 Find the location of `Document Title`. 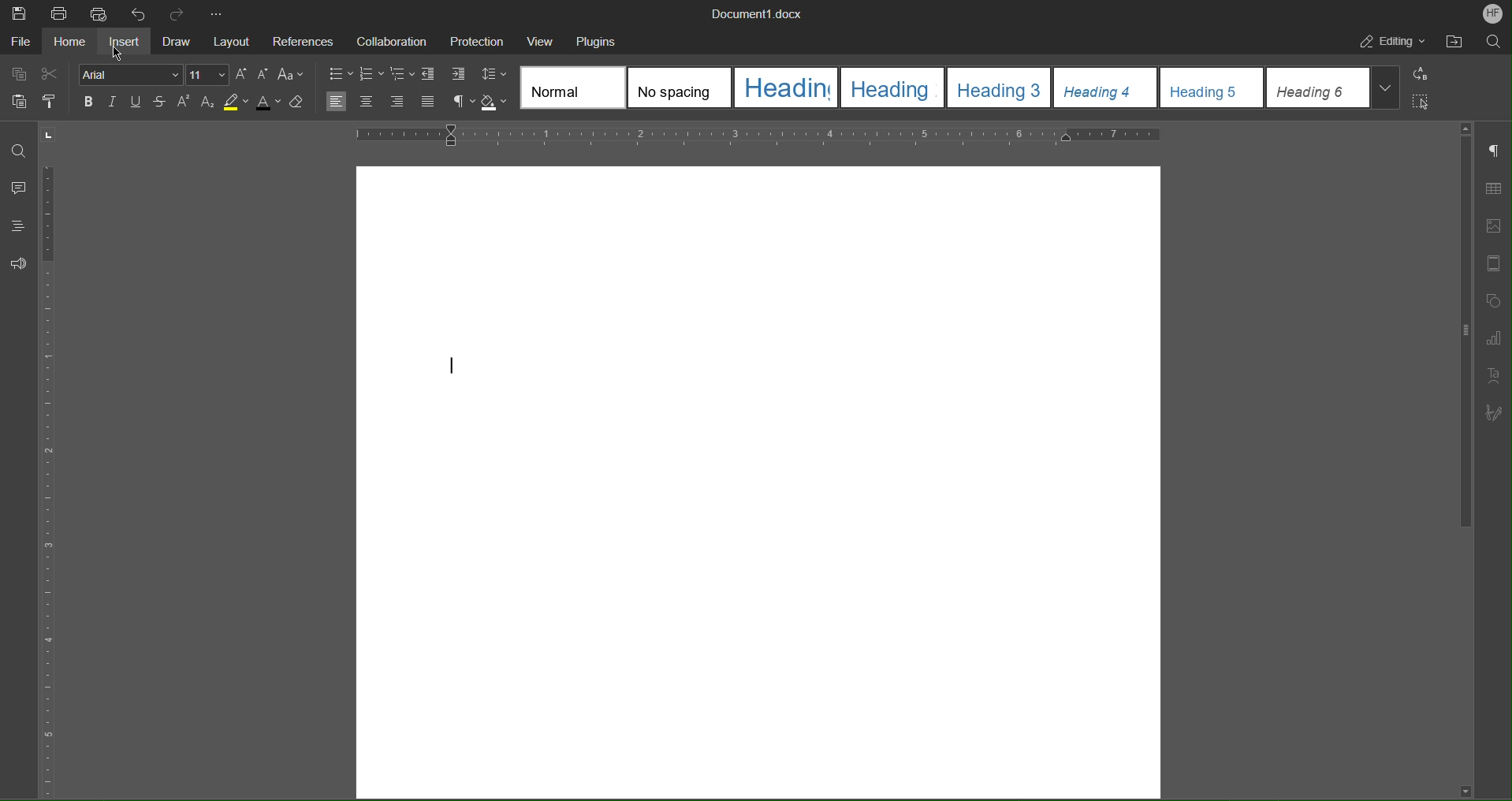

Document Title is located at coordinates (753, 13).